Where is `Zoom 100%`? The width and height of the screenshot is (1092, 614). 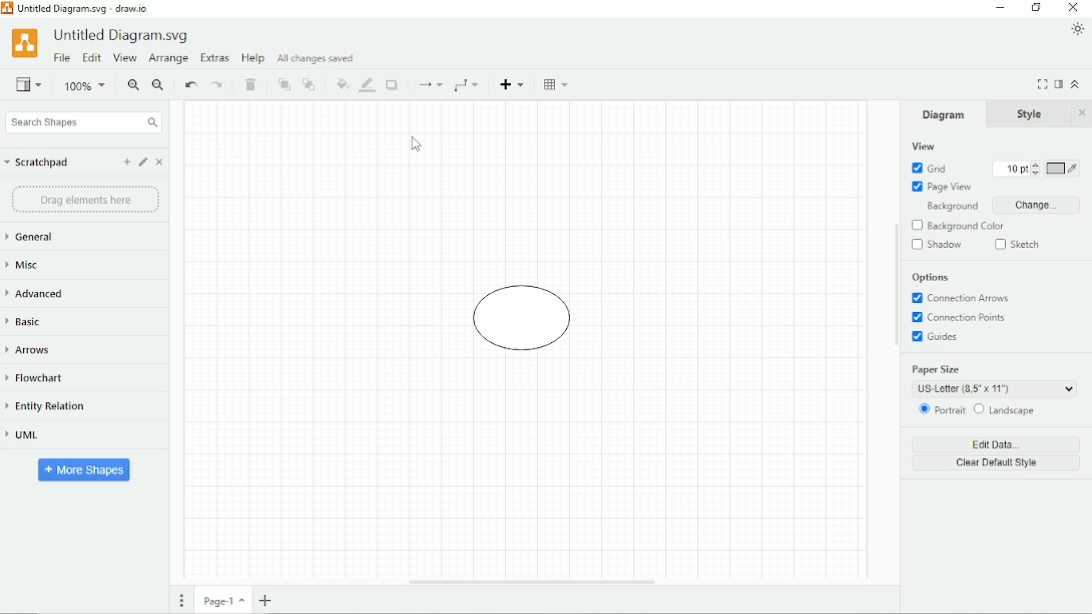
Zoom 100% is located at coordinates (85, 87).